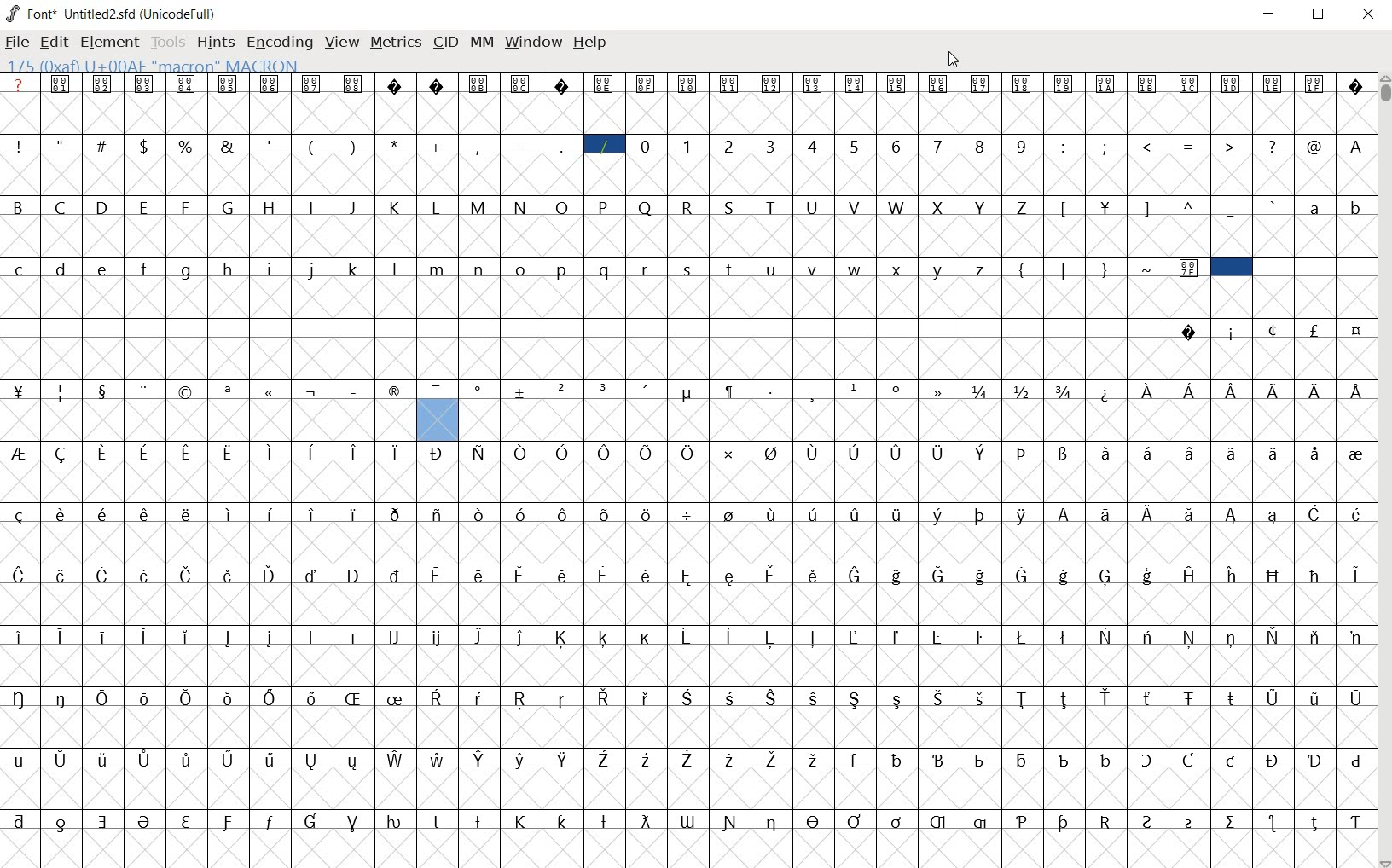 This screenshot has height=868, width=1392. What do you see at coordinates (148, 390) in the screenshot?
I see `Symbol` at bounding box center [148, 390].